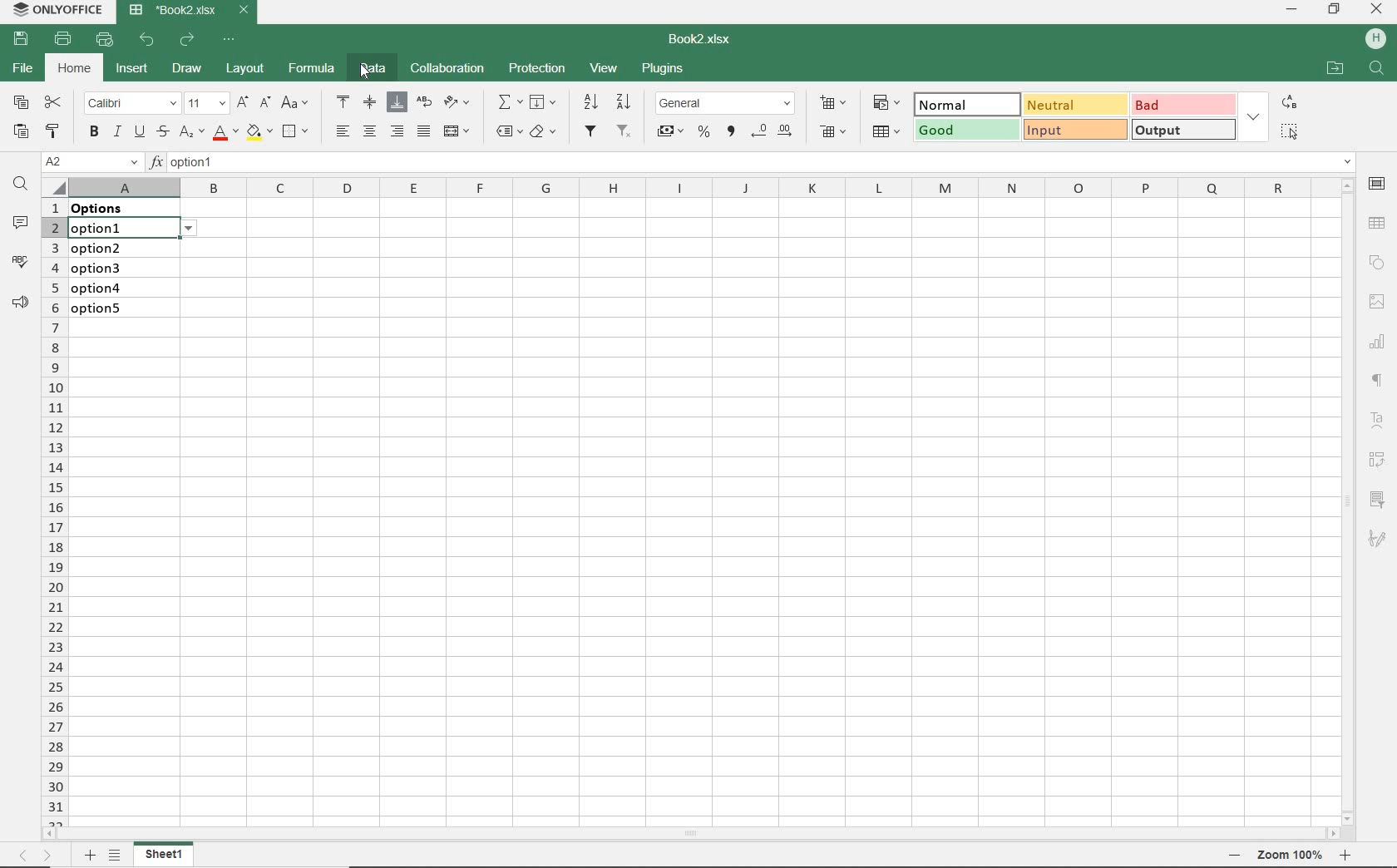 The height and width of the screenshot is (868, 1397). What do you see at coordinates (457, 104) in the screenshot?
I see `ORIENTATION` at bounding box center [457, 104].